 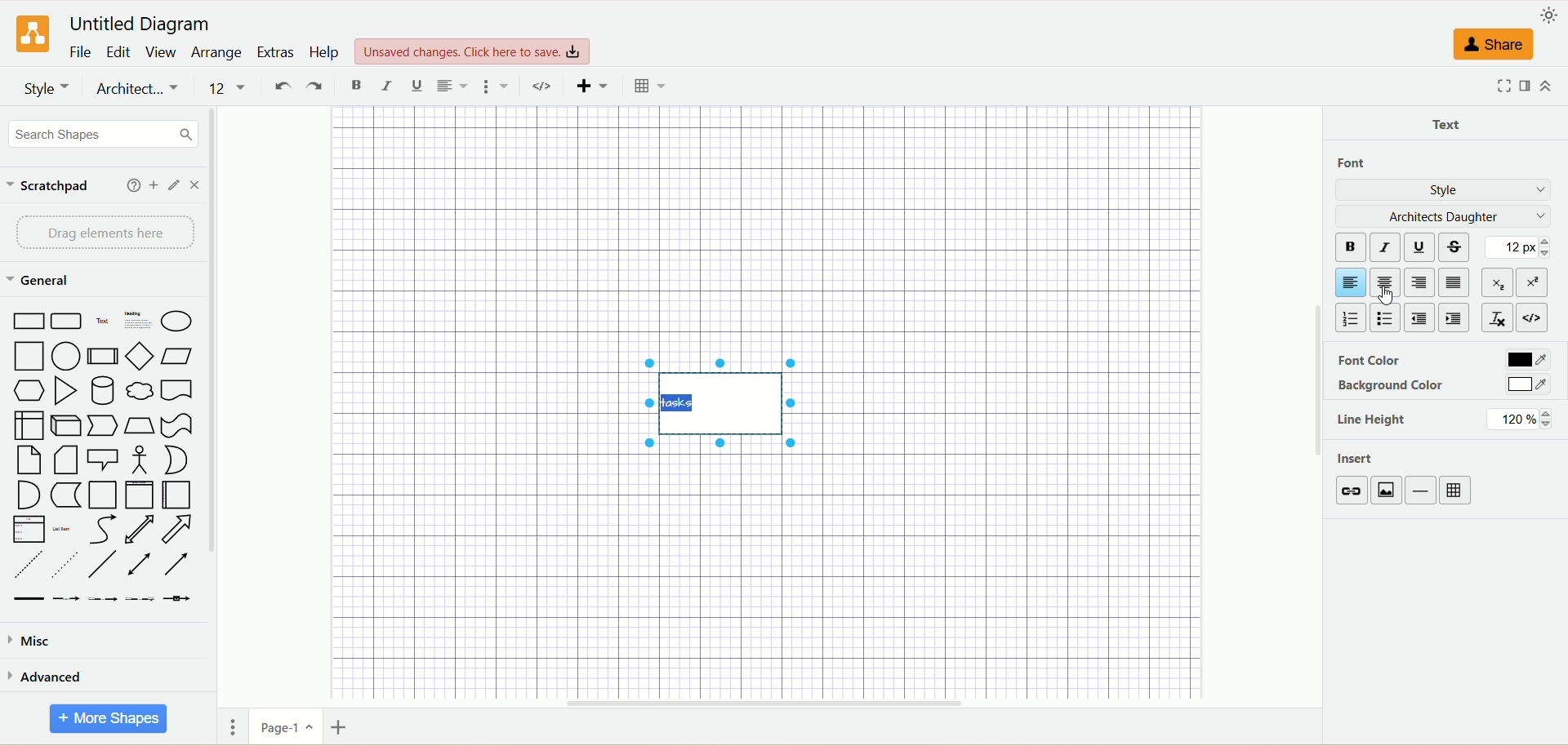 What do you see at coordinates (154, 184) in the screenshot?
I see `add` at bounding box center [154, 184].